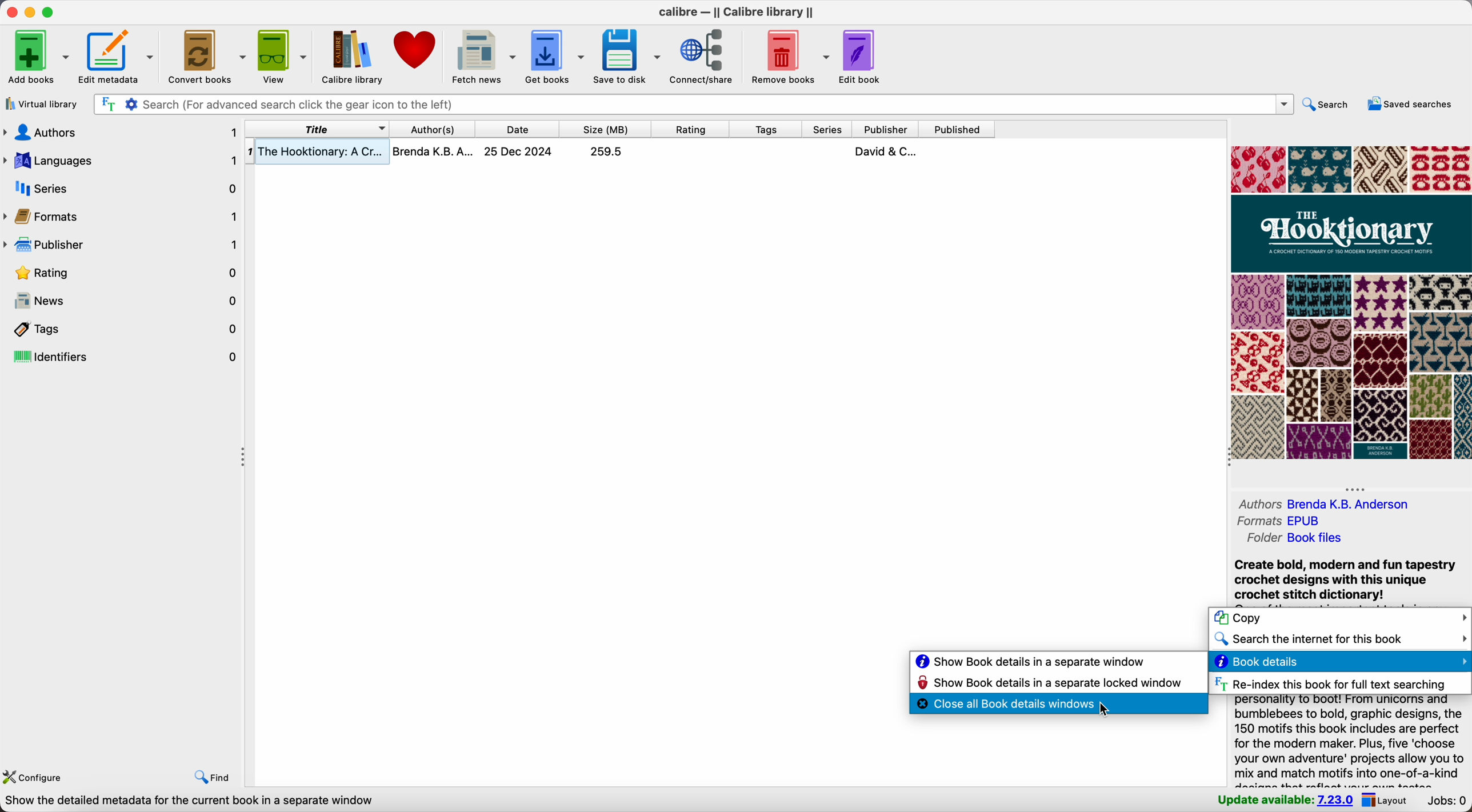 The image size is (1472, 812). I want to click on fetch news, so click(483, 55).